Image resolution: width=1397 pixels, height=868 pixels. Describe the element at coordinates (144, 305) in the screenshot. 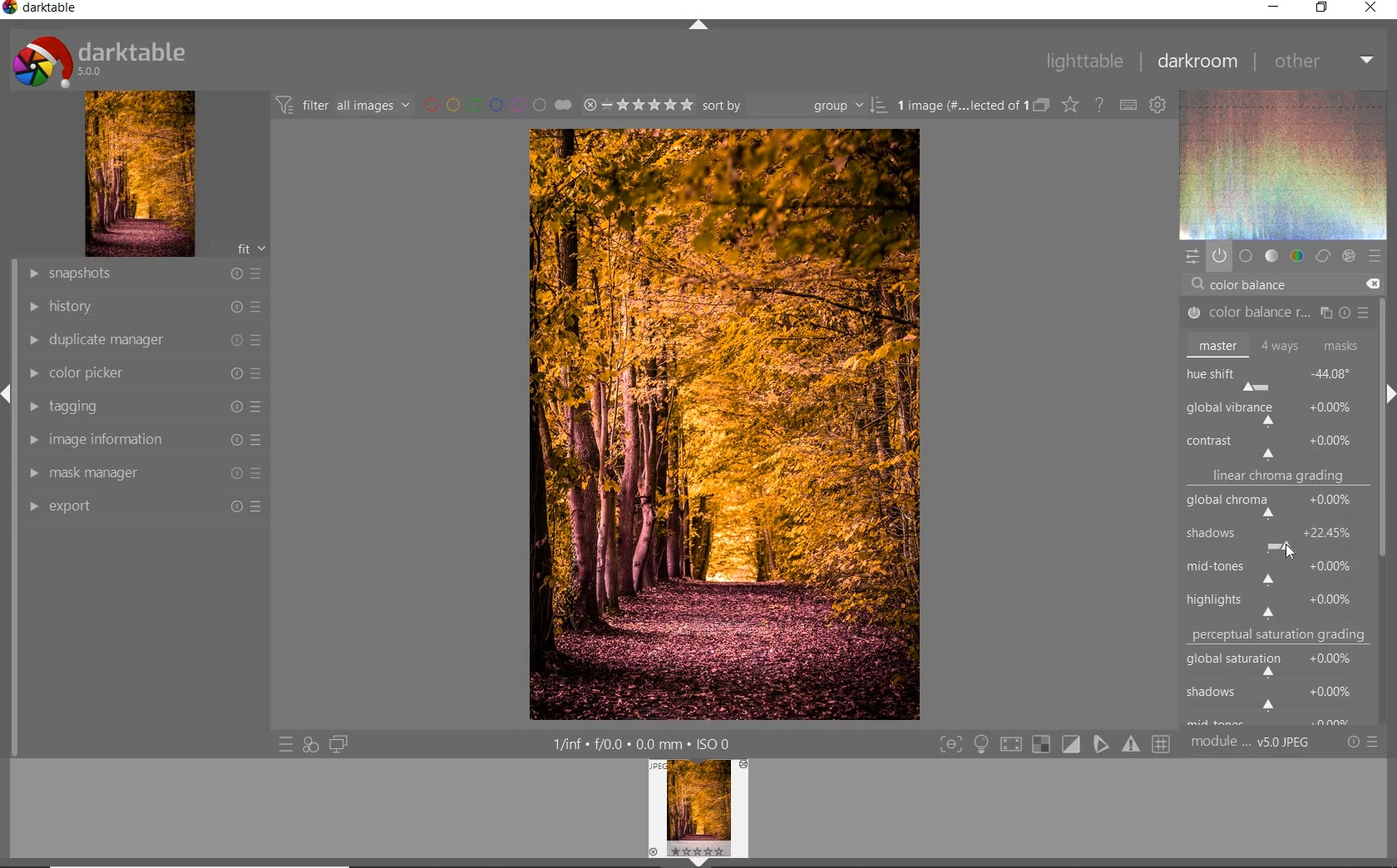

I see `history` at that location.